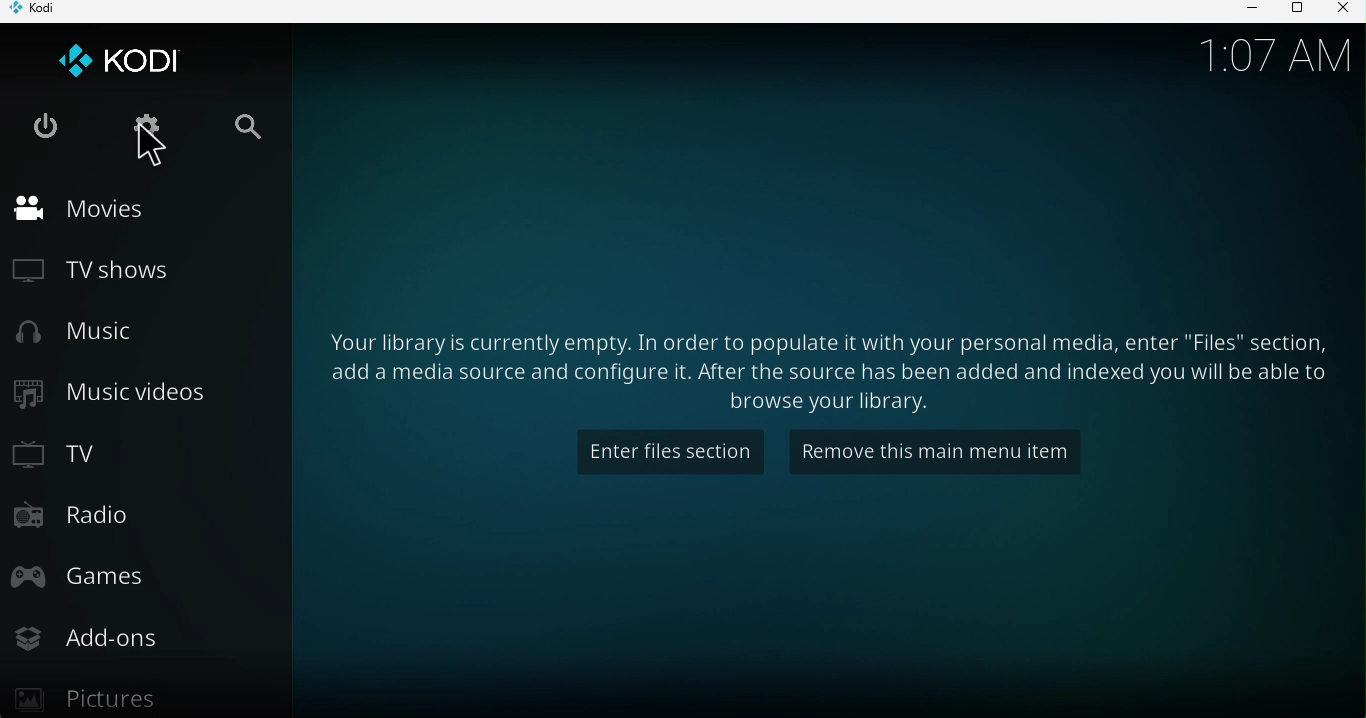  Describe the element at coordinates (816, 367) in the screenshot. I see `Enter files section Remove this main menu item` at that location.